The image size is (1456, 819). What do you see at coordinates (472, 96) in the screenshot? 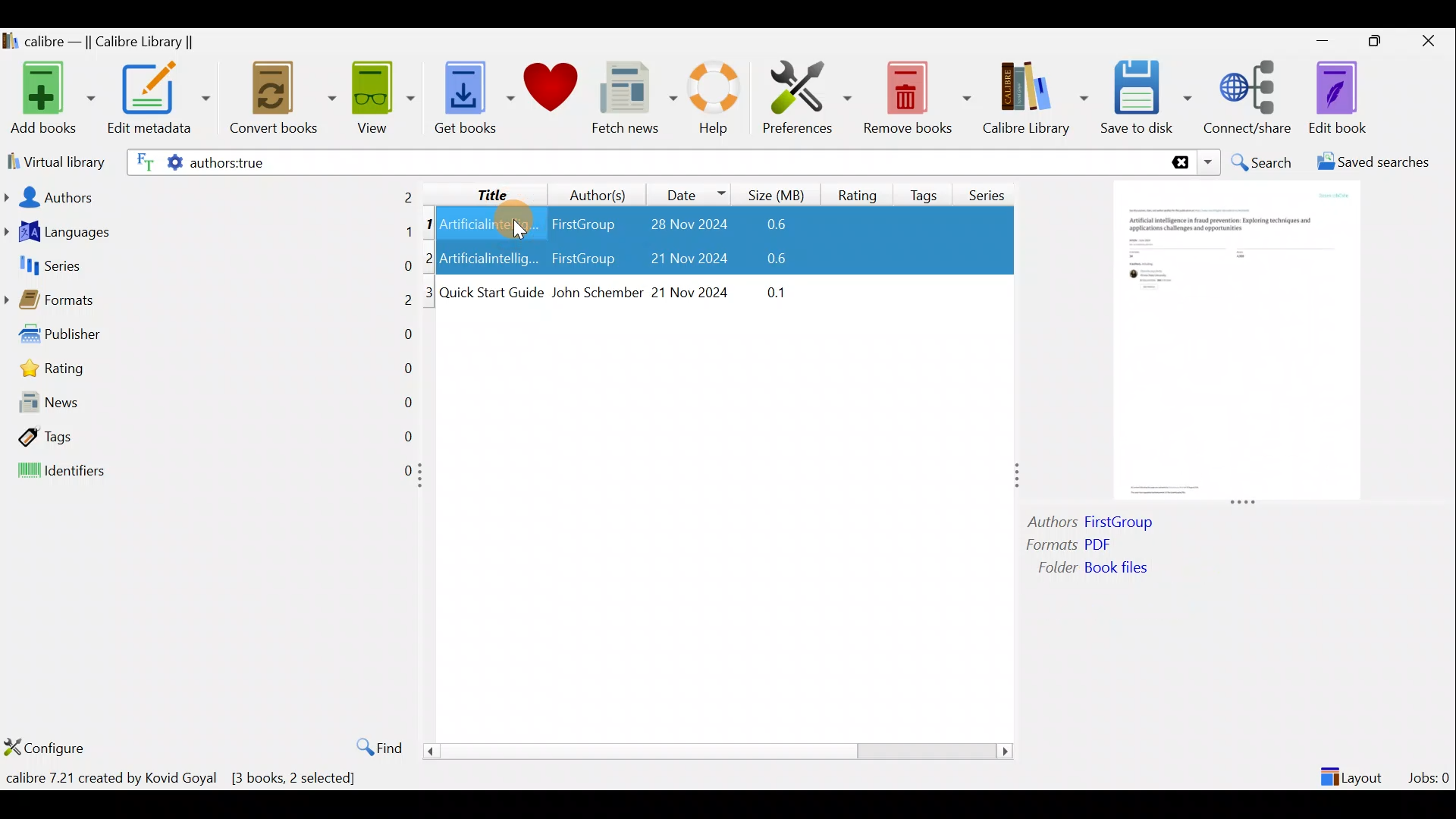
I see `Get books` at bounding box center [472, 96].